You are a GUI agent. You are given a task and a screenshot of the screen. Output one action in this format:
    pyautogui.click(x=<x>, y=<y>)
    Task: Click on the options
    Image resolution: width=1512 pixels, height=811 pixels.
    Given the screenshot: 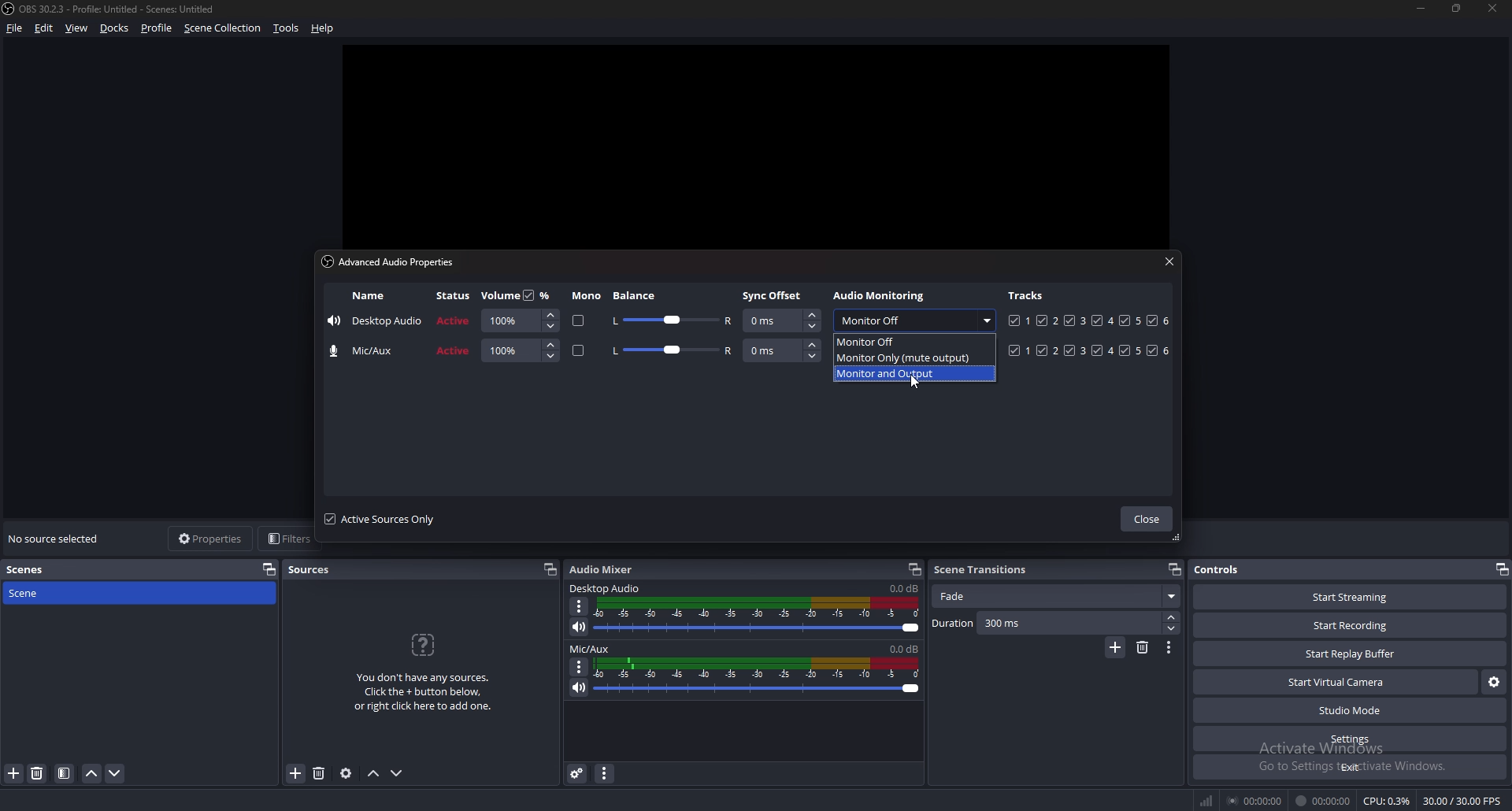 What is the action you would take?
    pyautogui.click(x=582, y=606)
    